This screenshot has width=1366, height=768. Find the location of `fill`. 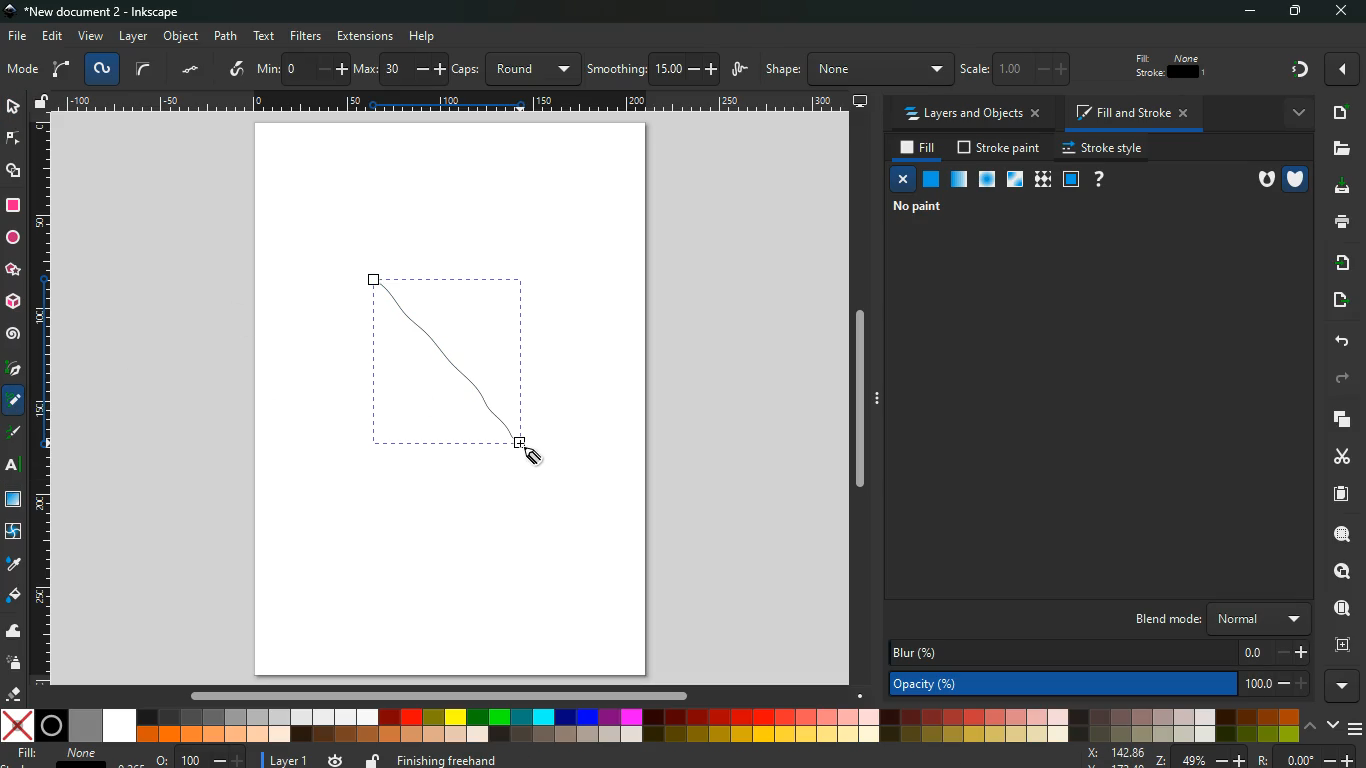

fill is located at coordinates (14, 596).